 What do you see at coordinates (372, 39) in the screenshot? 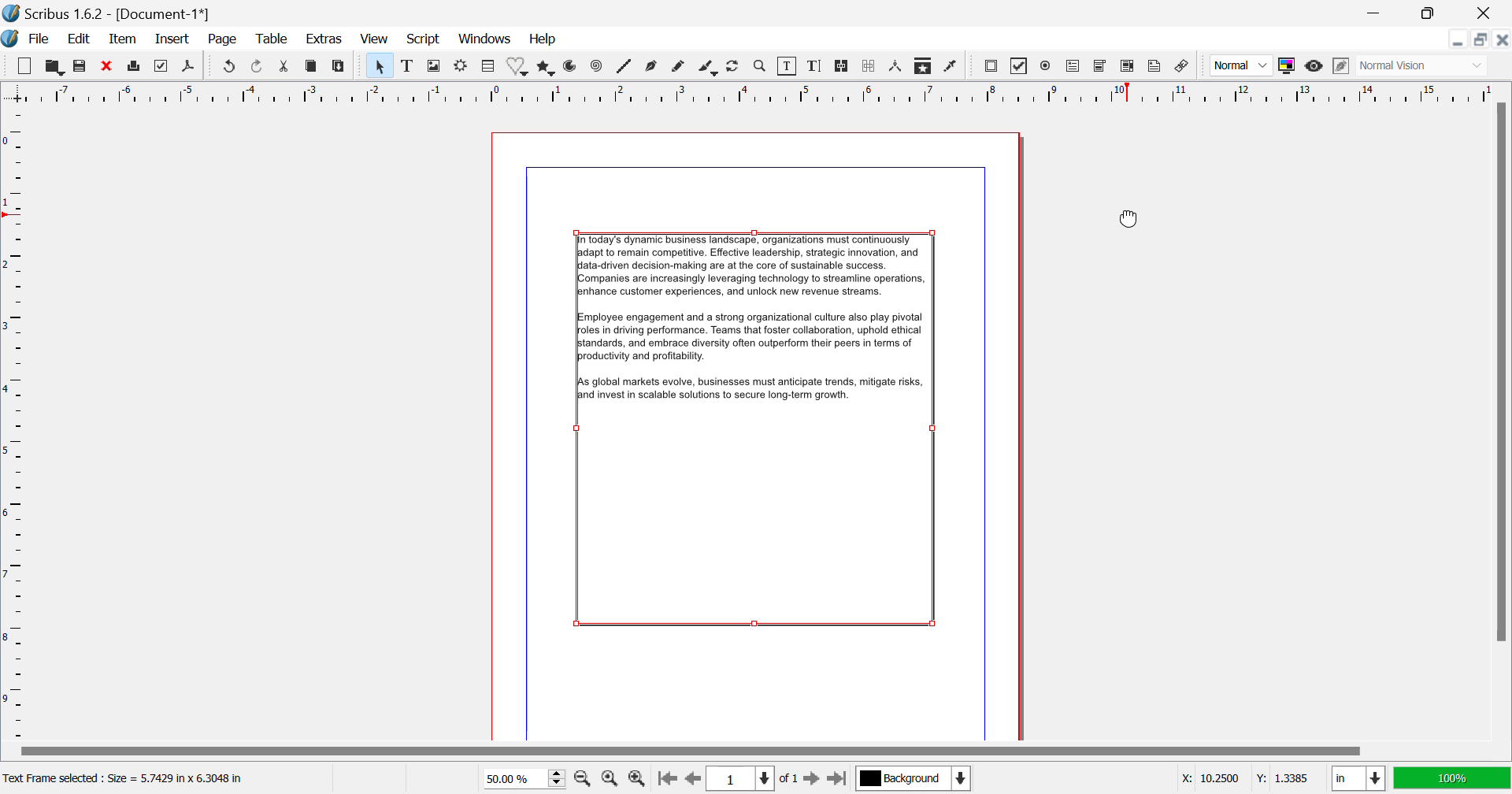
I see `View` at bounding box center [372, 39].